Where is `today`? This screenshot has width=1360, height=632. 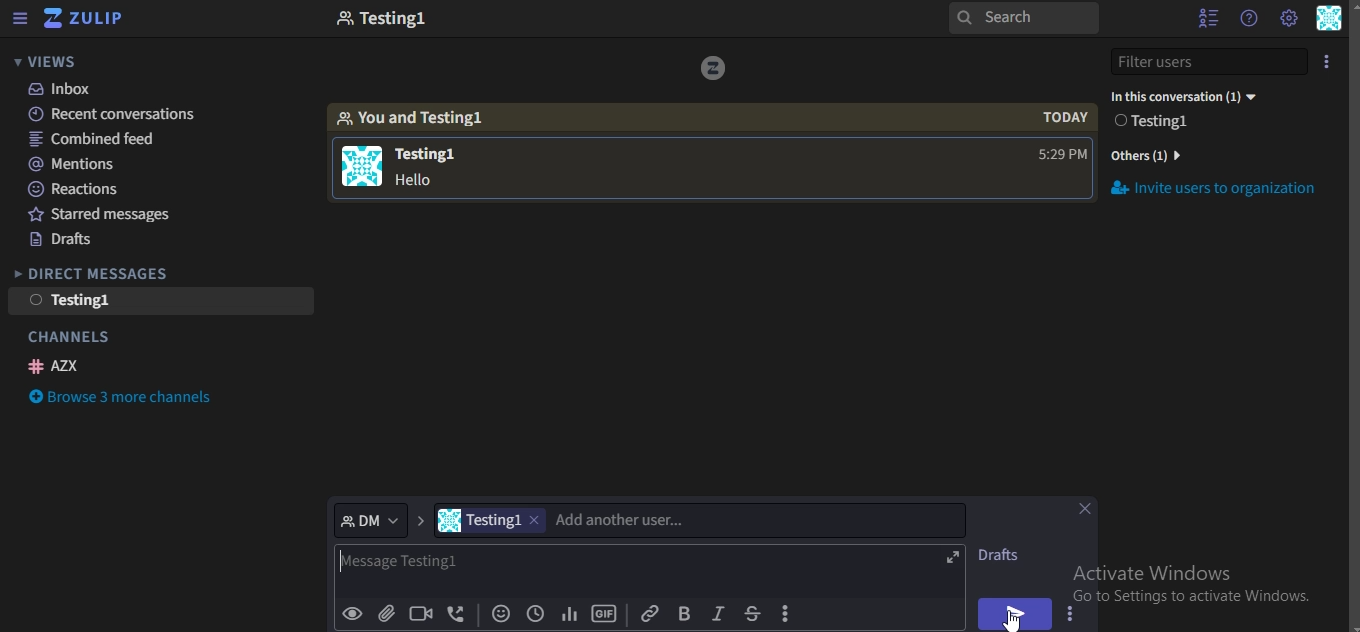 today is located at coordinates (1065, 119).